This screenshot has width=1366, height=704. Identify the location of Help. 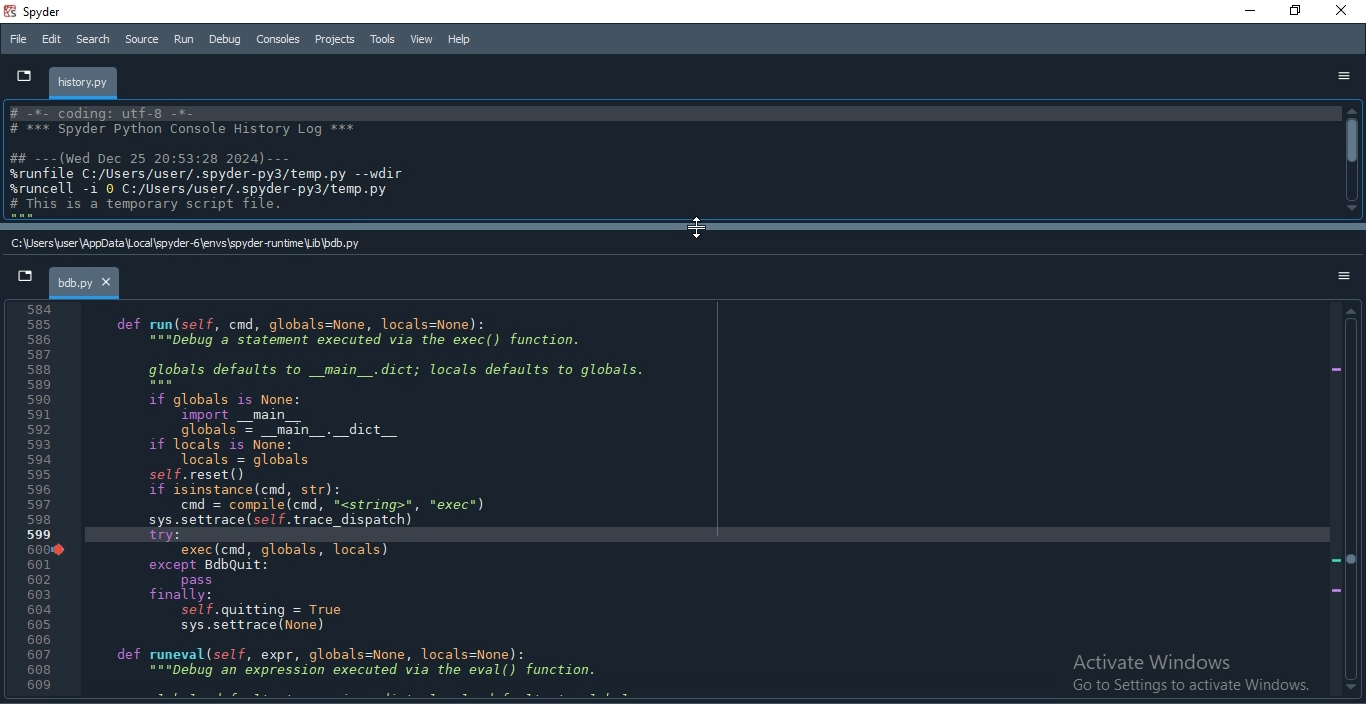
(458, 38).